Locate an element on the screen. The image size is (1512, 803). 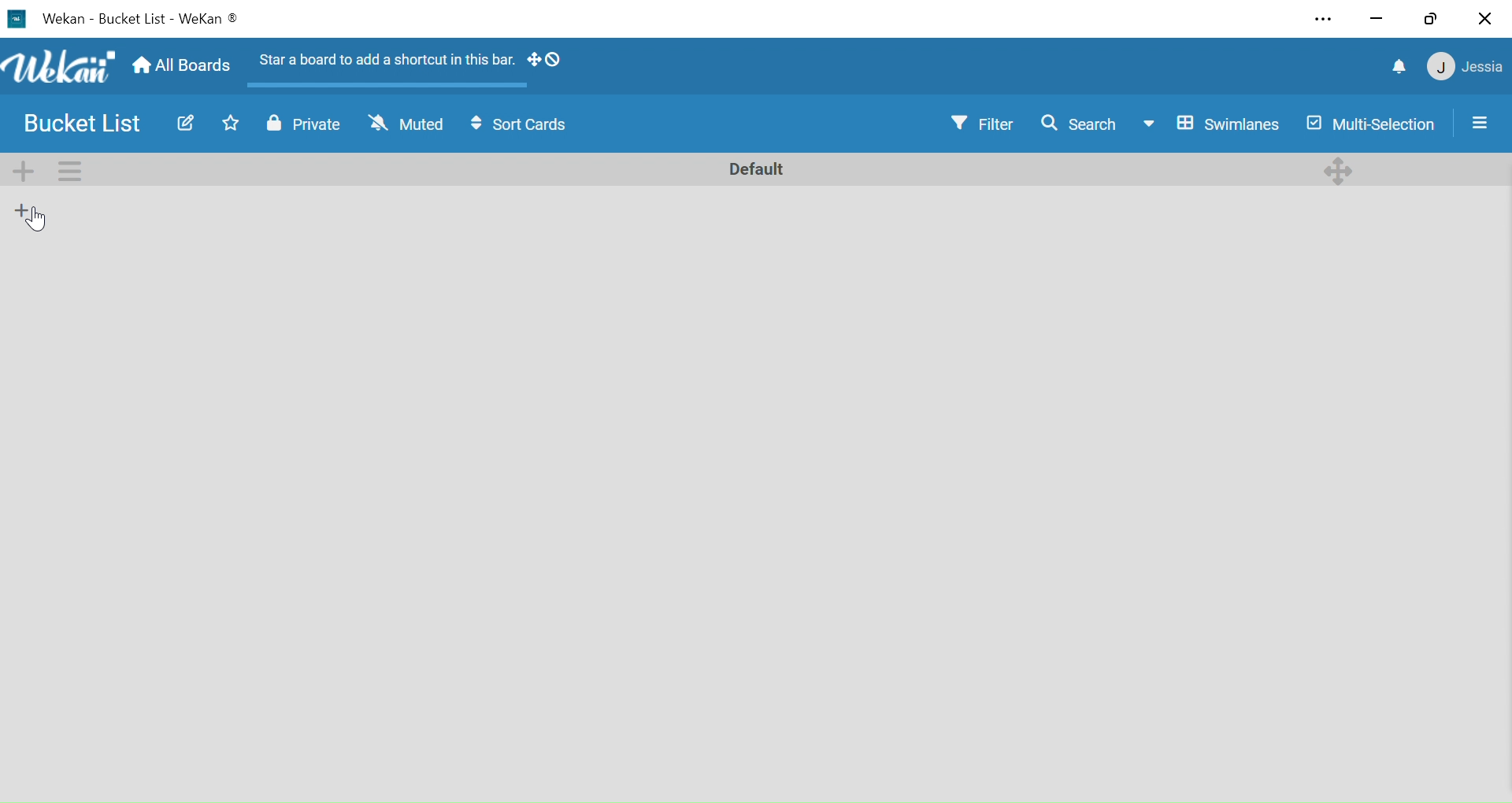
Board name is located at coordinates (133, 20).